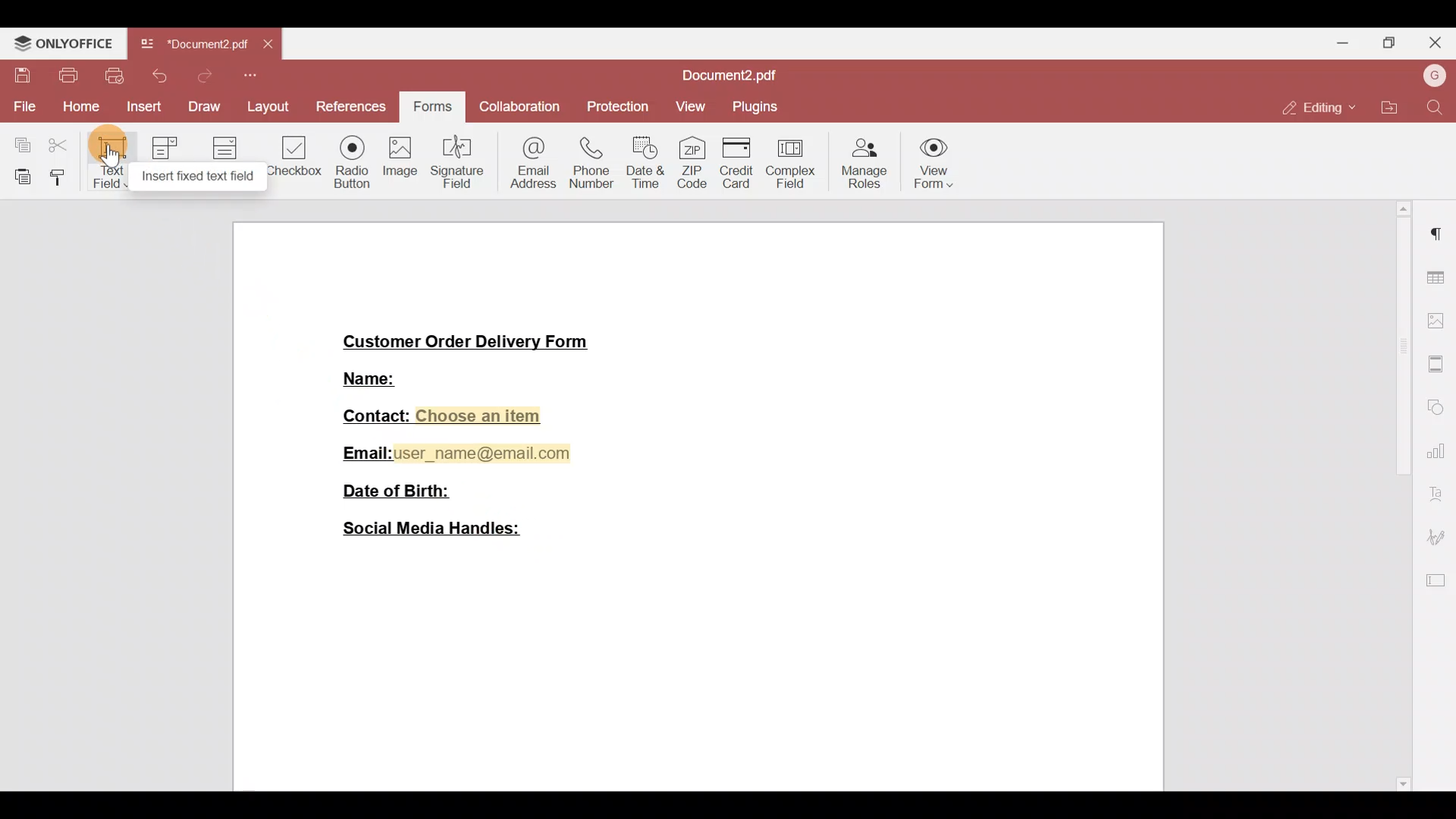 The image size is (1456, 819). Describe the element at coordinates (1439, 315) in the screenshot. I see `Image settings` at that location.